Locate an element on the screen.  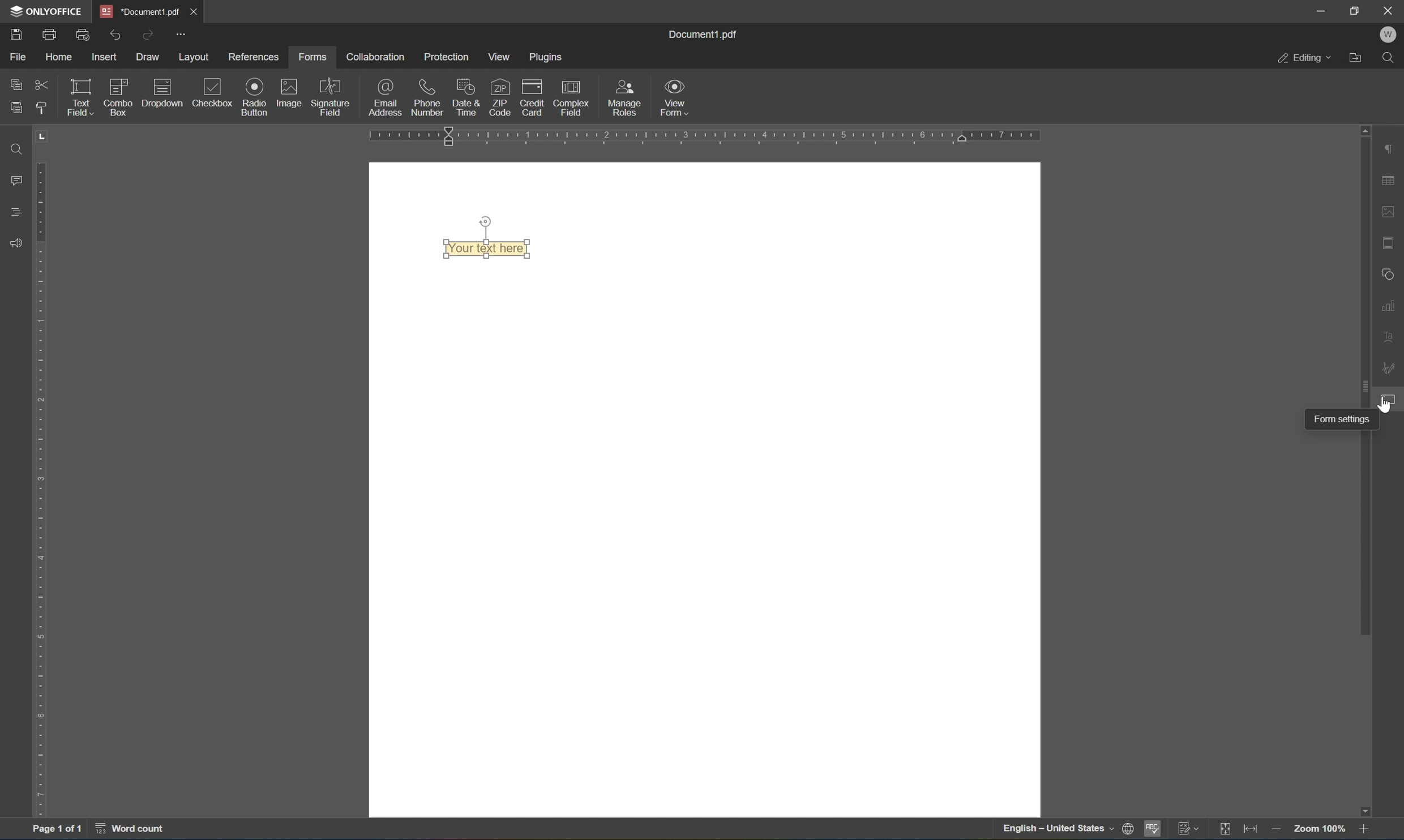
copy style is located at coordinates (40, 111).